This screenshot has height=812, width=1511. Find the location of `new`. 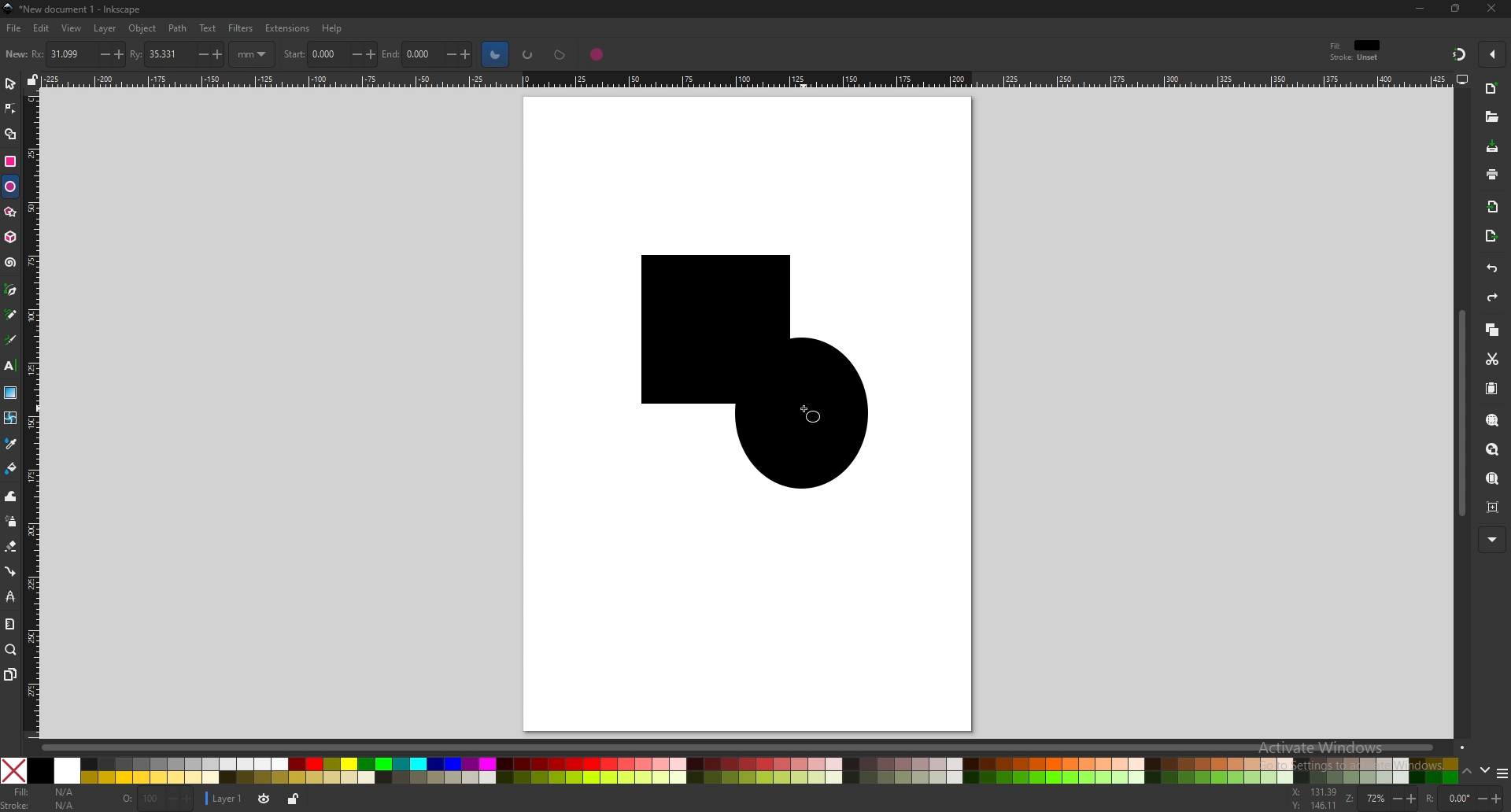

new is located at coordinates (1491, 88).